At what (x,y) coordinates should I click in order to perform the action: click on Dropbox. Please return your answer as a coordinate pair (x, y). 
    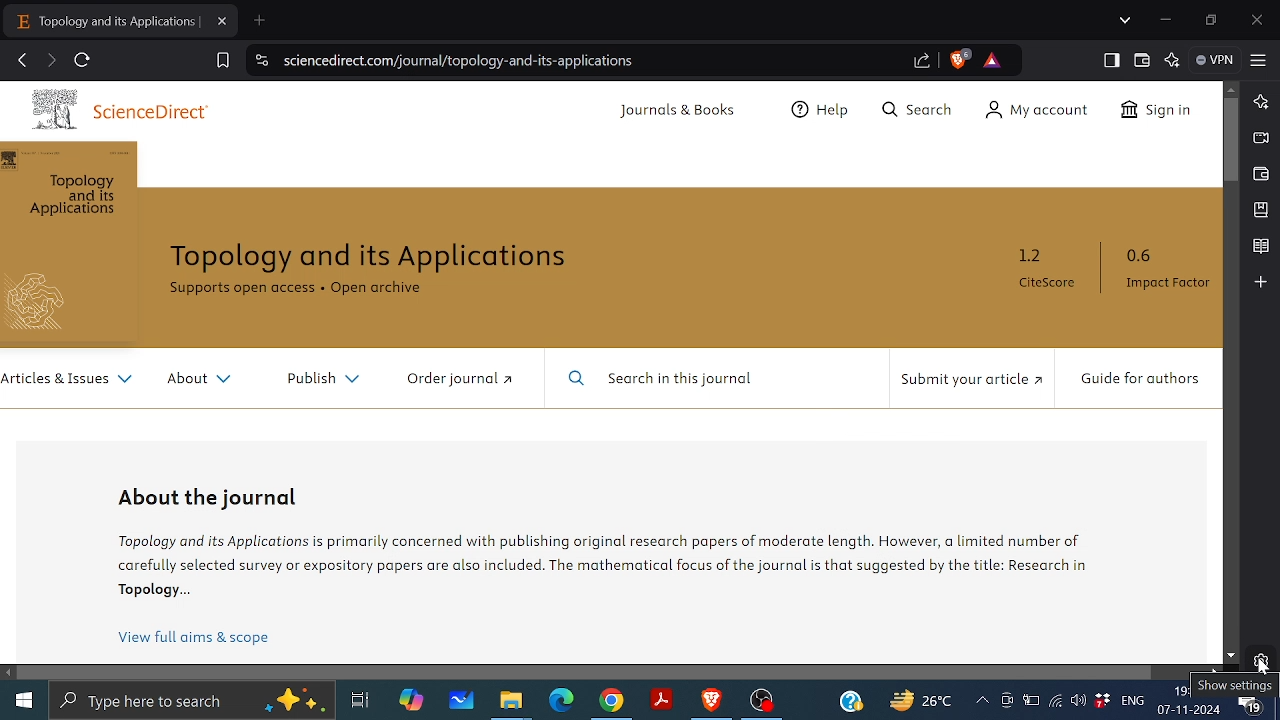
    Looking at the image, I should click on (1101, 702).